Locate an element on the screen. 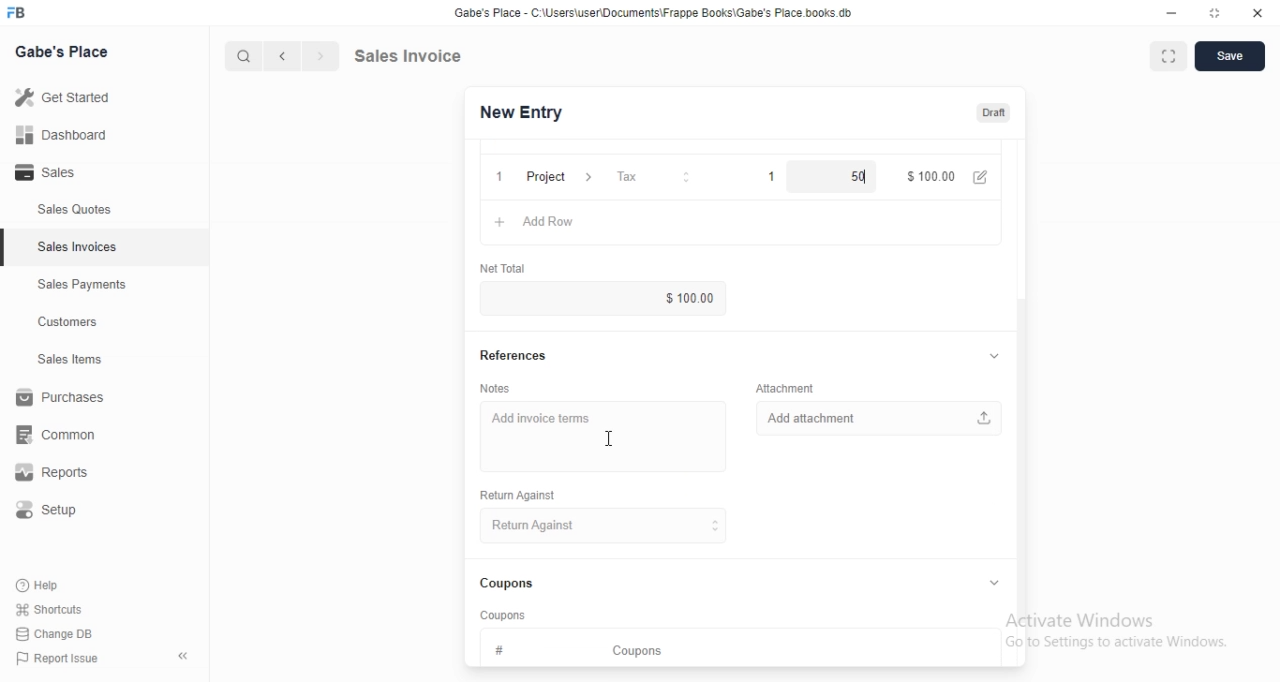  Gabe's Place is located at coordinates (66, 50).